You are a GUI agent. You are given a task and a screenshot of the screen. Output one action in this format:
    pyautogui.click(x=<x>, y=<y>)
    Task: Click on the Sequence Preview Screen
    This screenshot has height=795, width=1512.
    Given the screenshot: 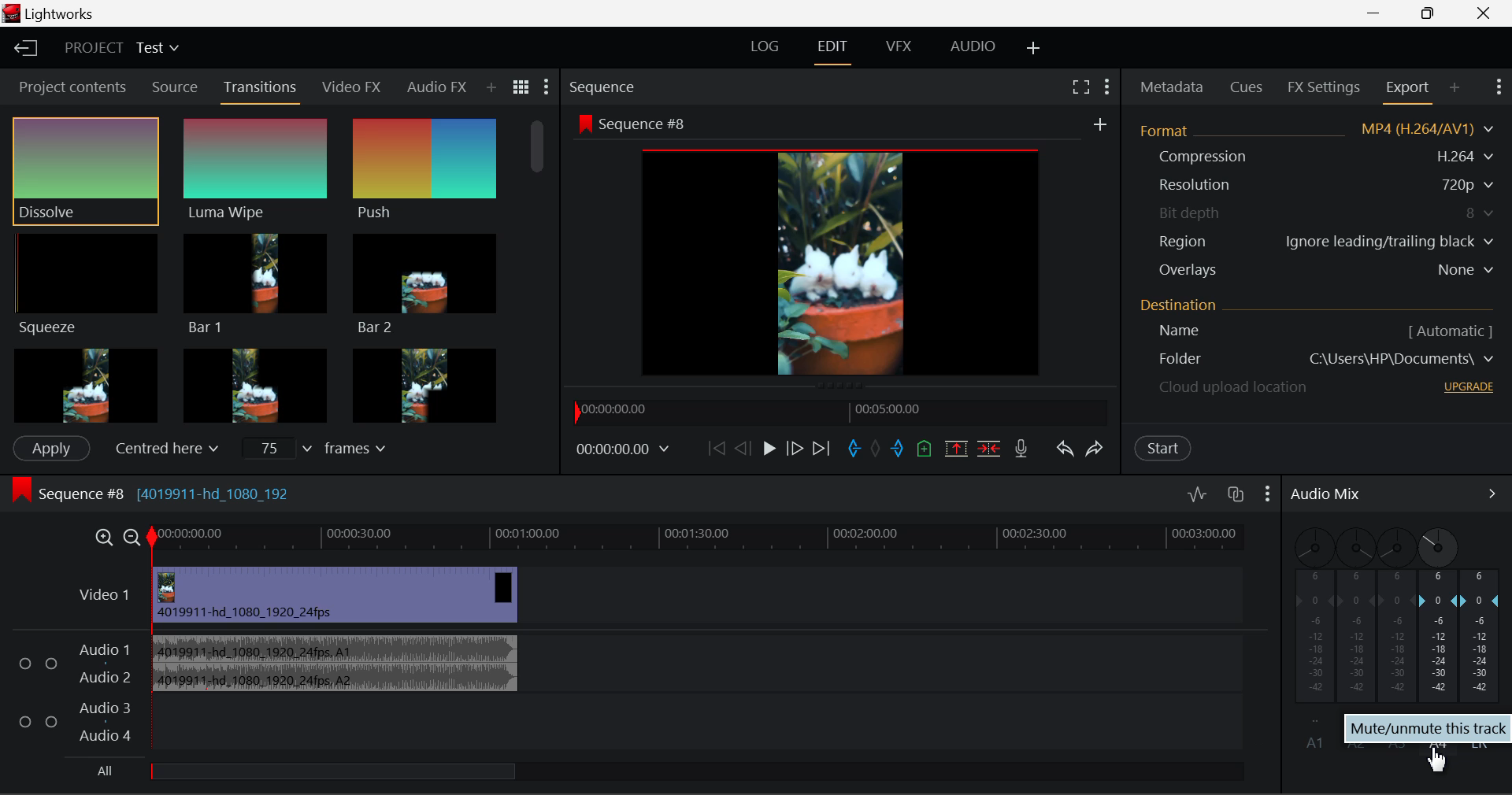 What is the action you would take?
    pyautogui.click(x=843, y=247)
    